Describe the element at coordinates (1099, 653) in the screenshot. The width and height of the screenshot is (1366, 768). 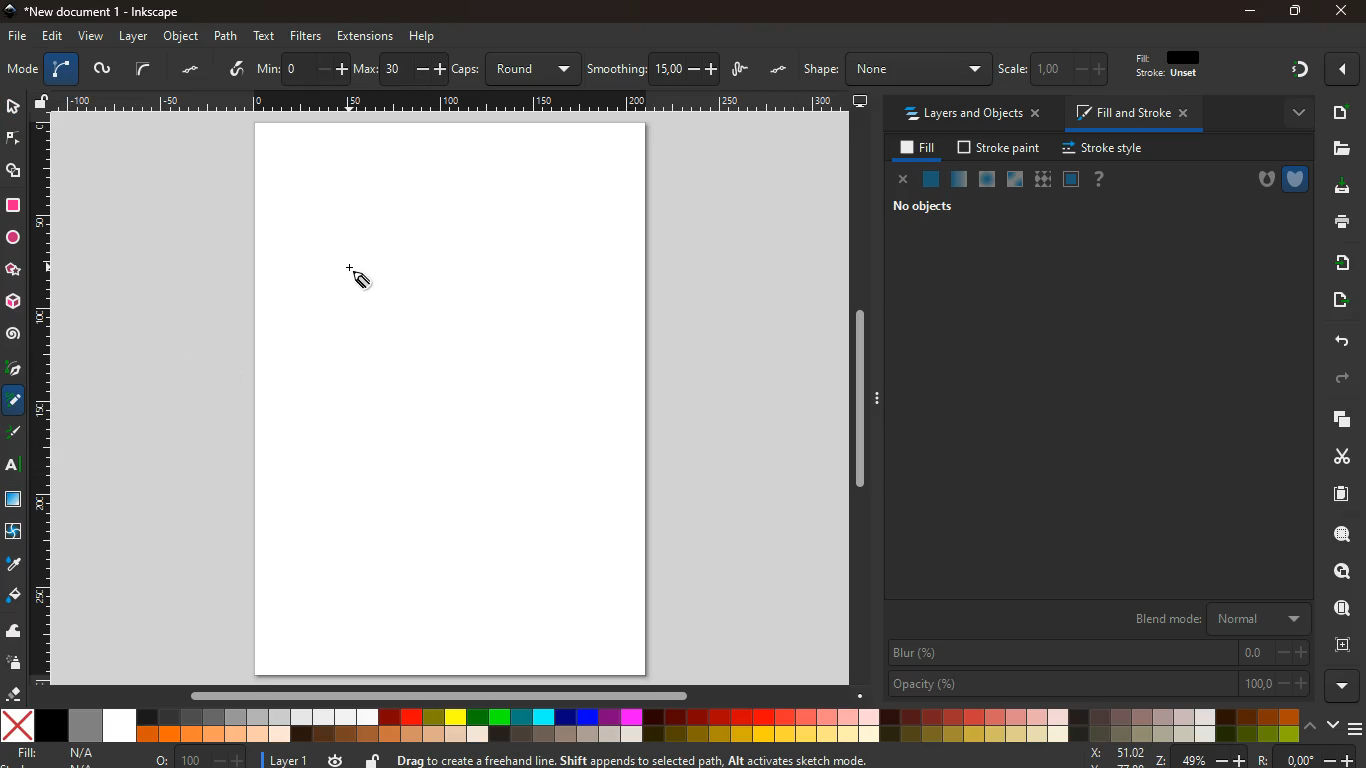
I see `blur` at that location.